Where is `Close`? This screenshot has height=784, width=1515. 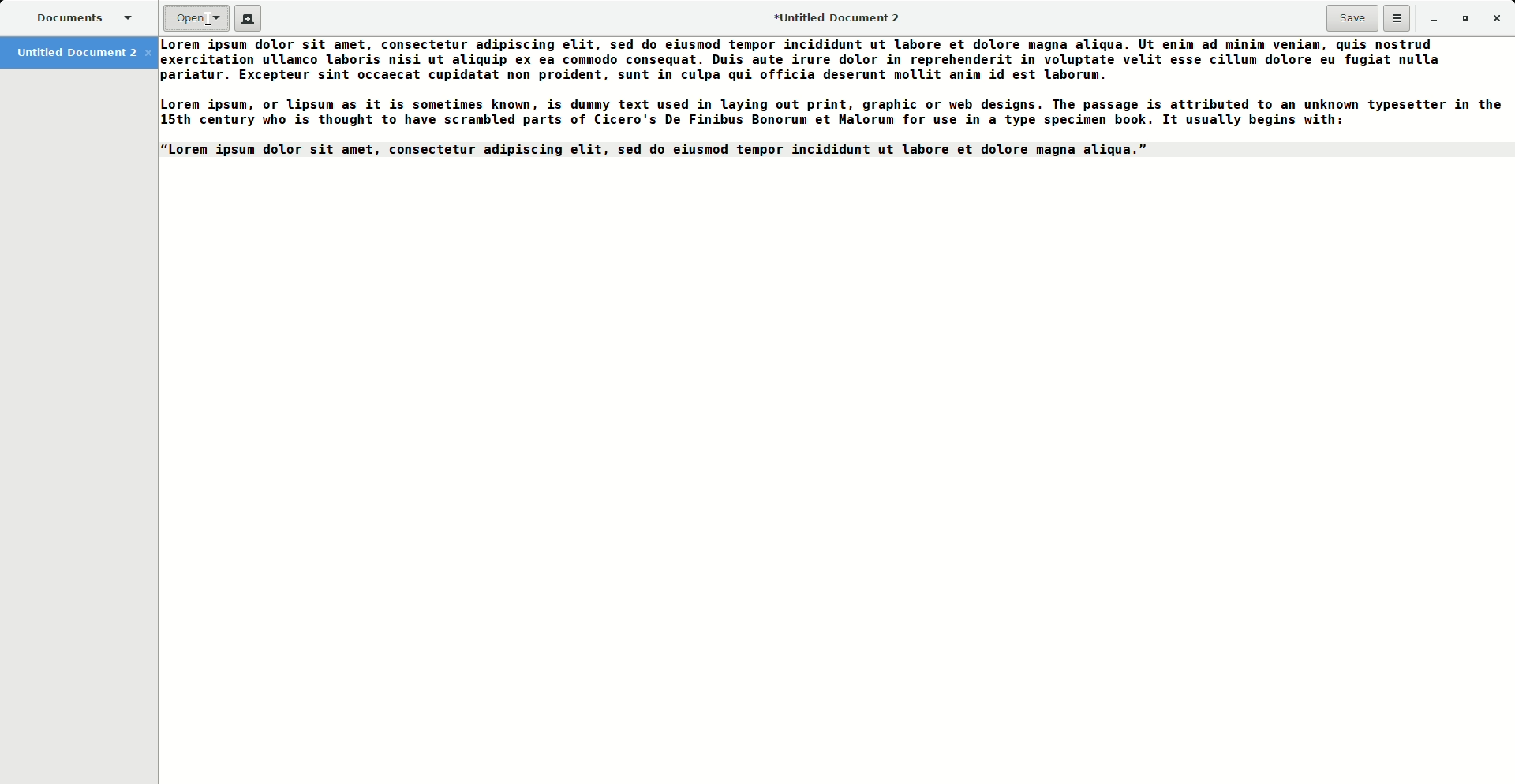 Close is located at coordinates (1496, 17).